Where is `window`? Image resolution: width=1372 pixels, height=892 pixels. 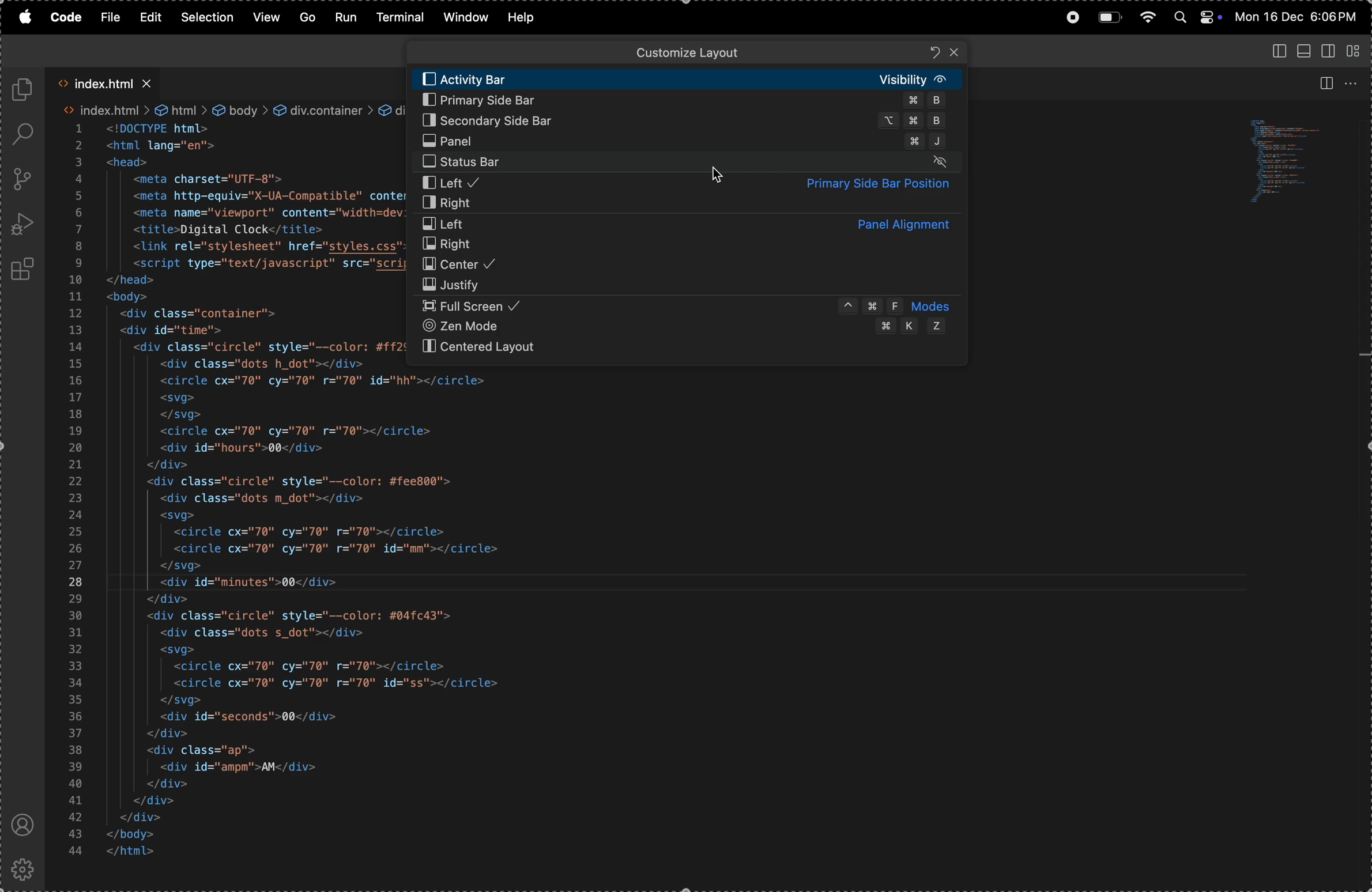 window is located at coordinates (463, 17).